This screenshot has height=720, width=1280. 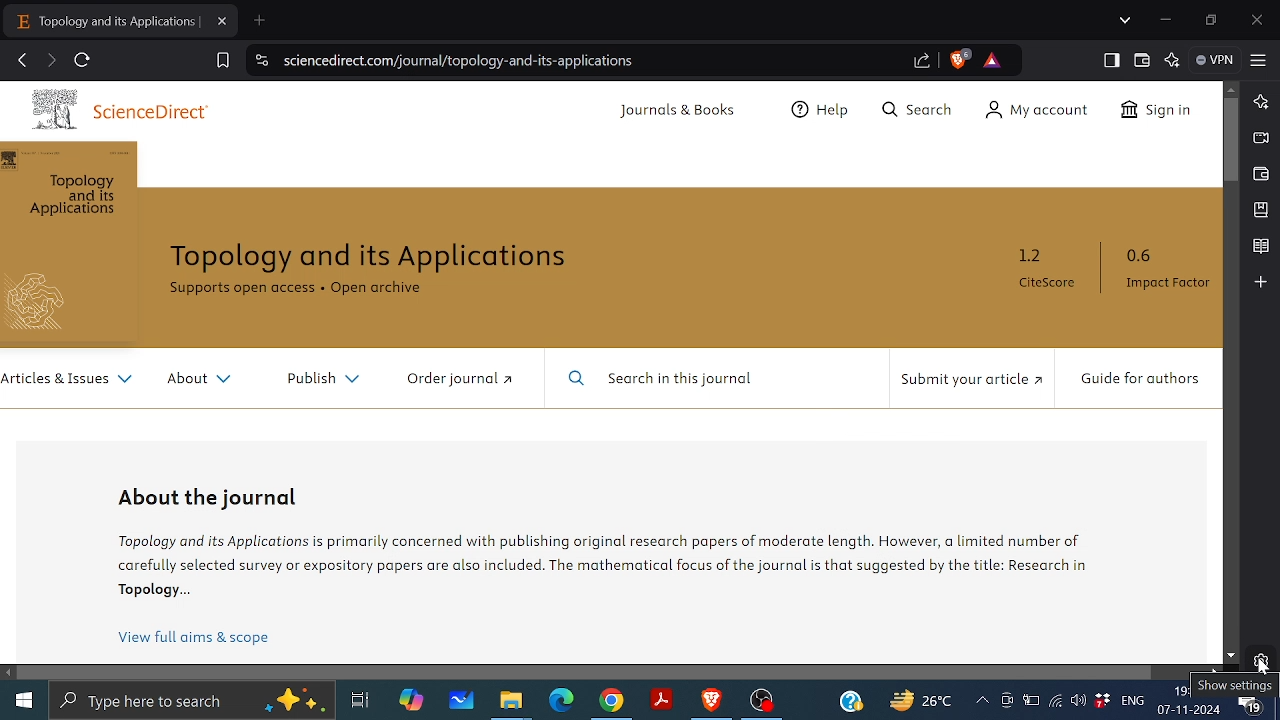 What do you see at coordinates (994, 61) in the screenshot?
I see `Rewards` at bounding box center [994, 61].